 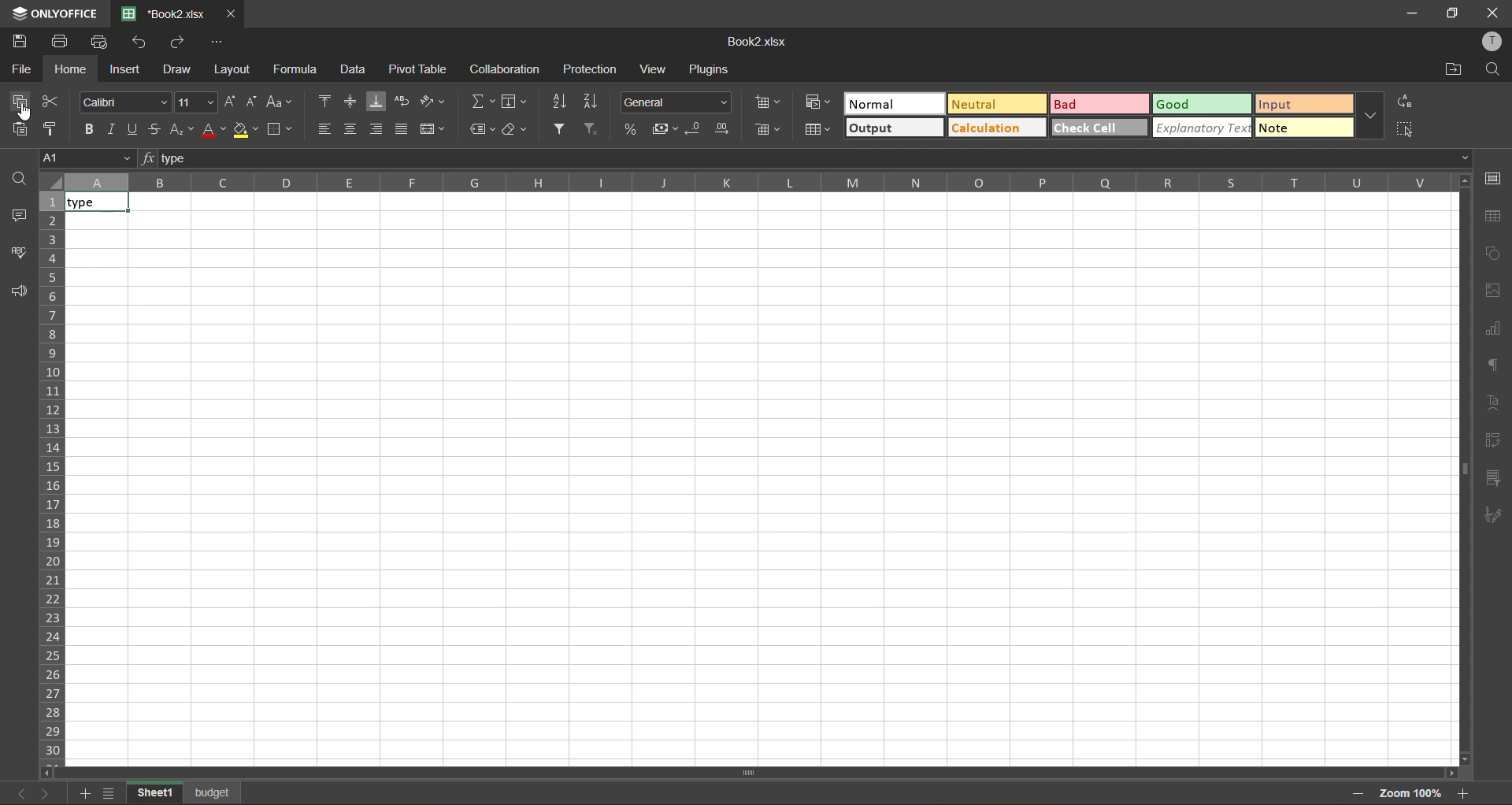 I want to click on merge and center, so click(x=433, y=128).